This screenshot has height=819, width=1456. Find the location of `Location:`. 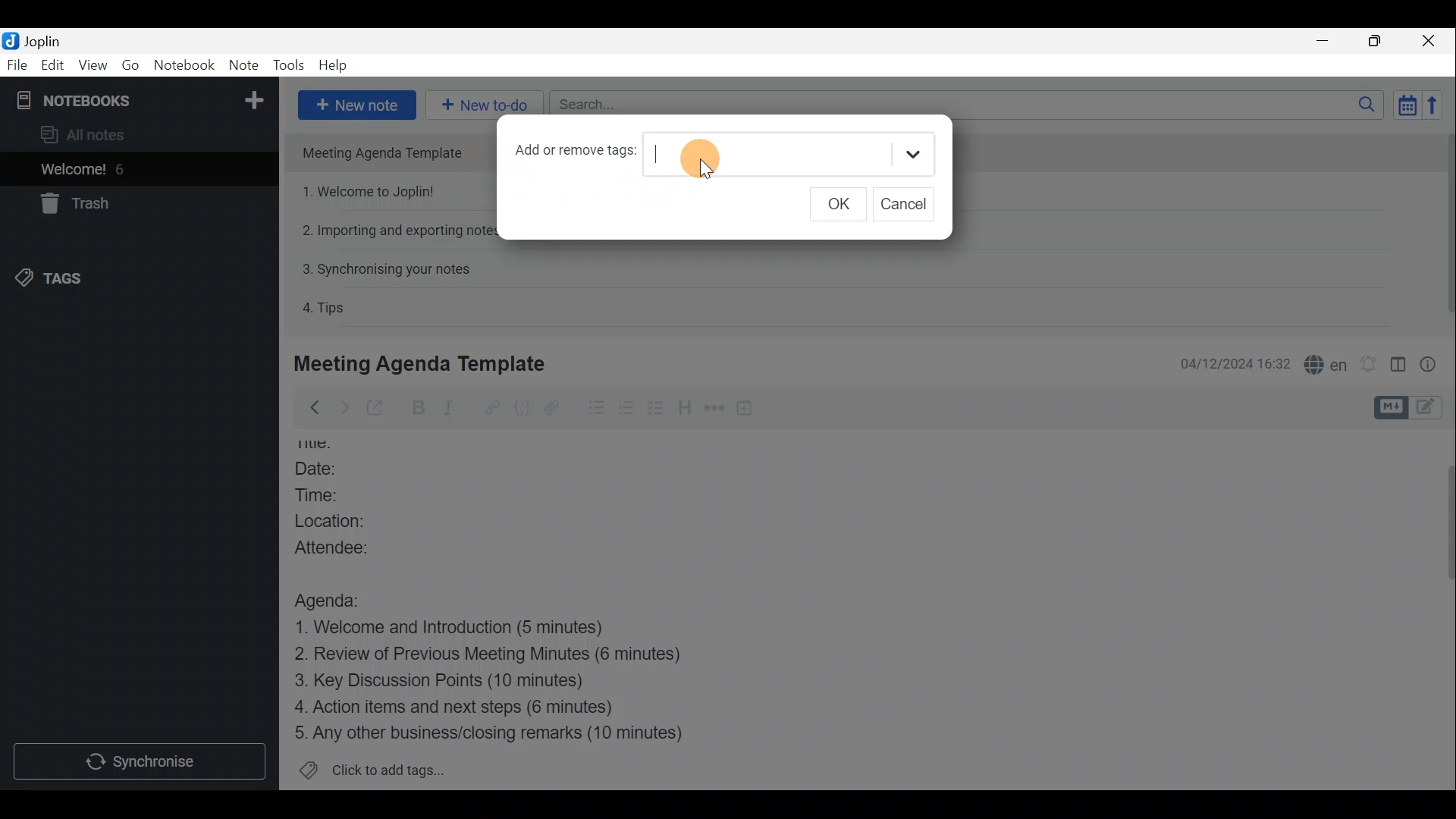

Location: is located at coordinates (348, 521).